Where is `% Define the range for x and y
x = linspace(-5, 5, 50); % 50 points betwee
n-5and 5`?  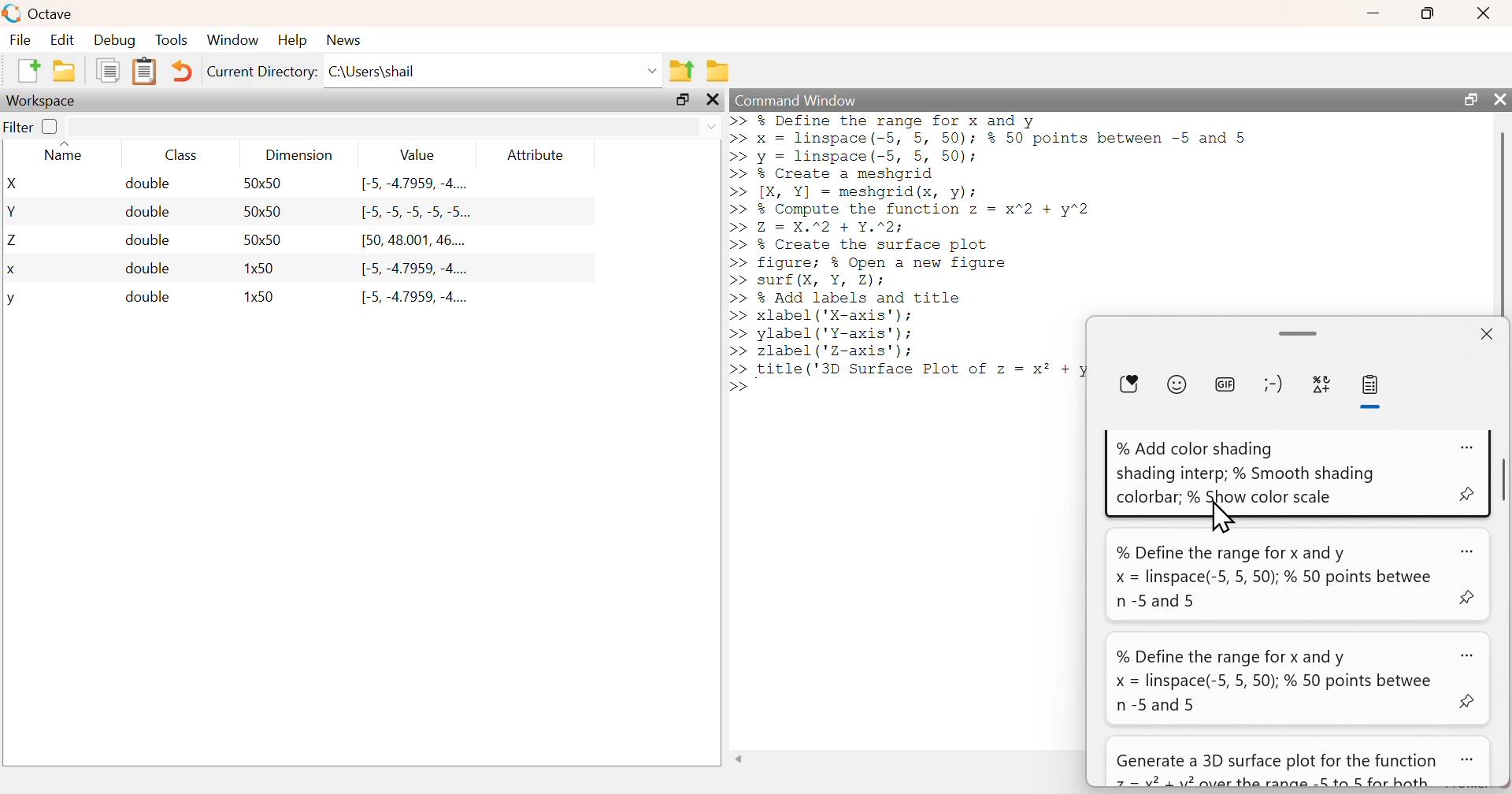
% Define the range for x and y
x = linspace(-5, 5, 50); % 50 points betwee
n-5and 5 is located at coordinates (1274, 680).